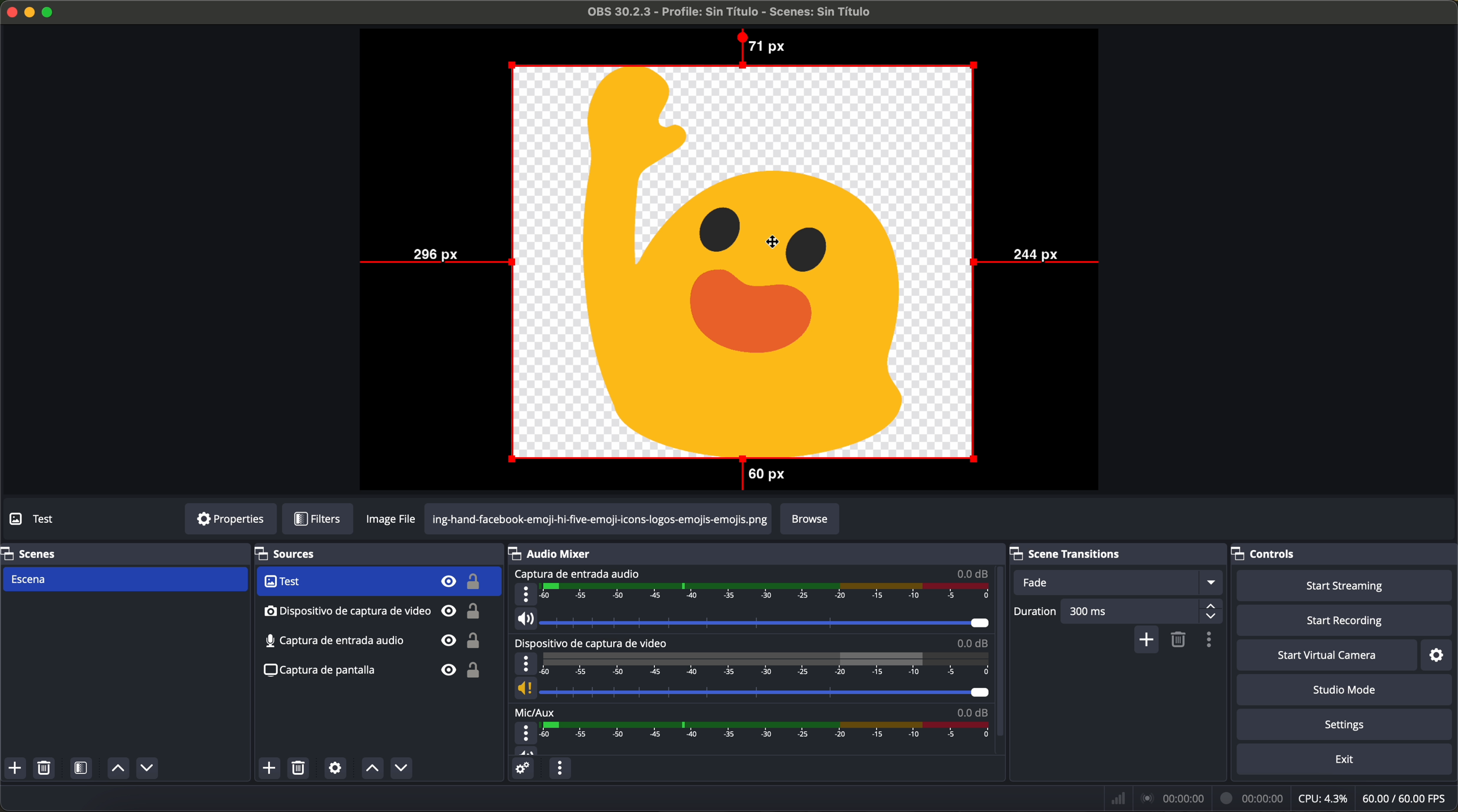 Image resolution: width=1458 pixels, height=812 pixels. What do you see at coordinates (761, 476) in the screenshot?
I see `60 px` at bounding box center [761, 476].